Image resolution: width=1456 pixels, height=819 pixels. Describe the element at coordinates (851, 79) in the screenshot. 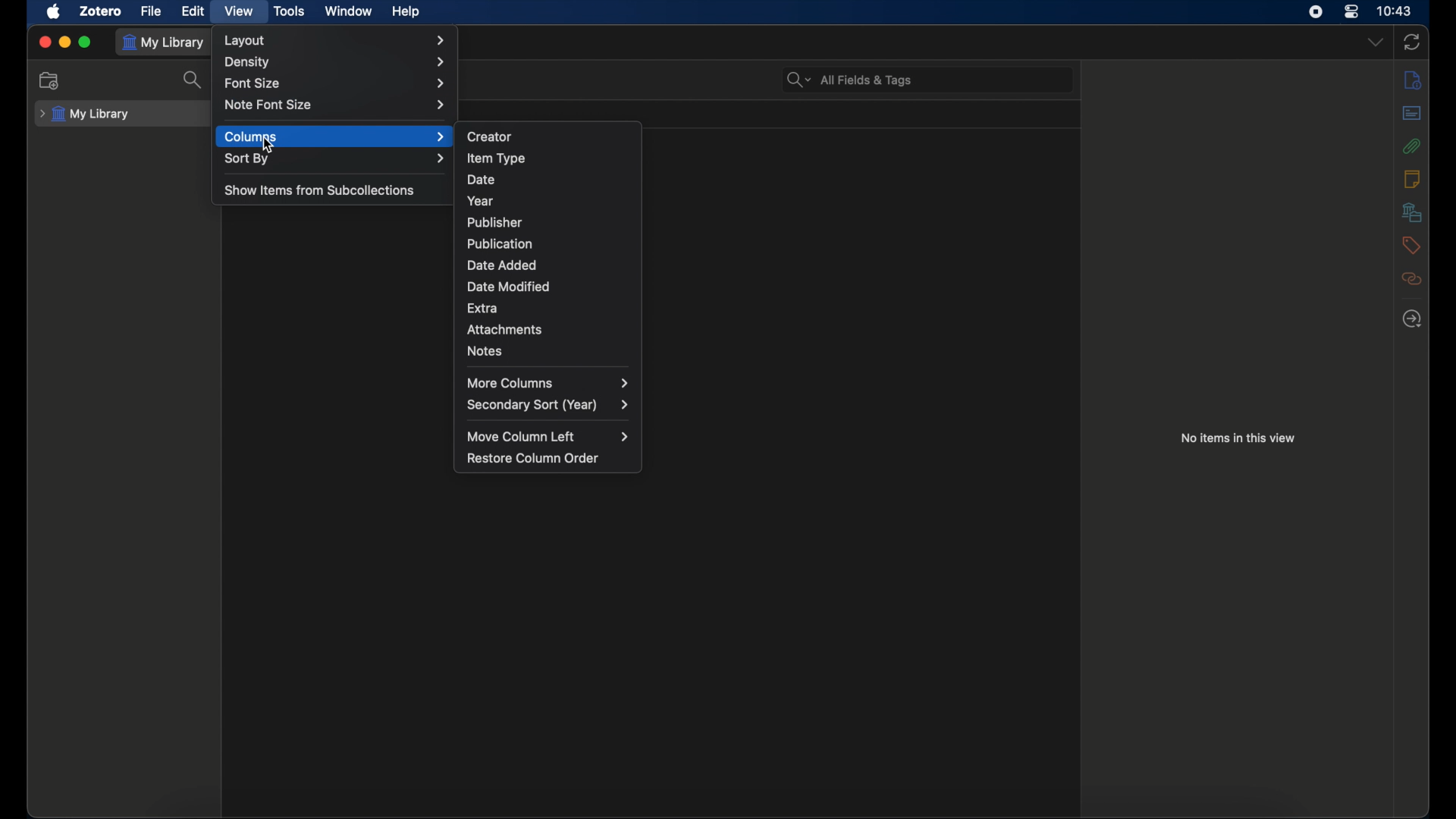

I see `all fields & tags` at that location.